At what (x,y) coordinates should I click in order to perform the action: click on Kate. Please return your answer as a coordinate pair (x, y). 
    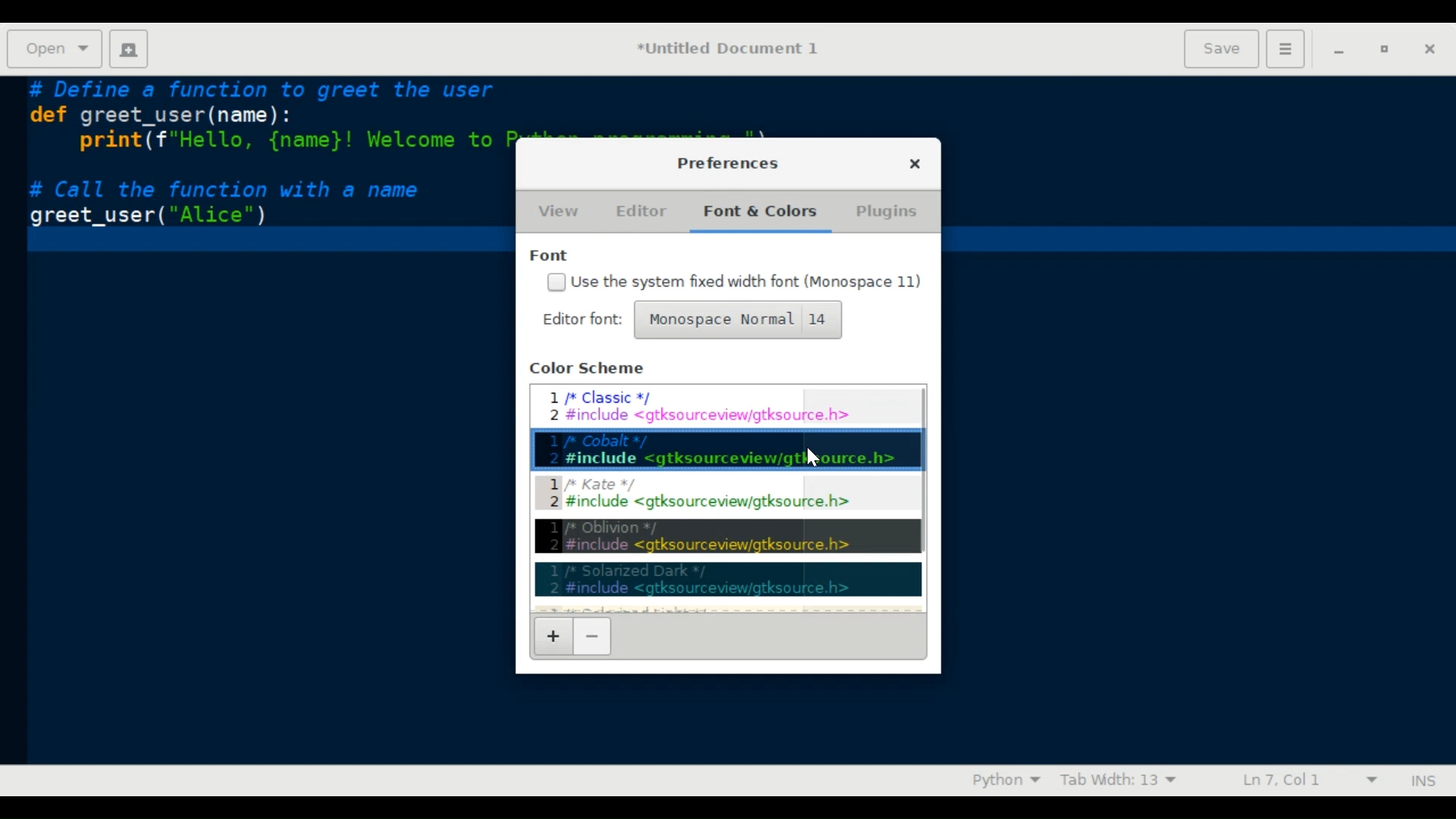
    Looking at the image, I should click on (731, 494).